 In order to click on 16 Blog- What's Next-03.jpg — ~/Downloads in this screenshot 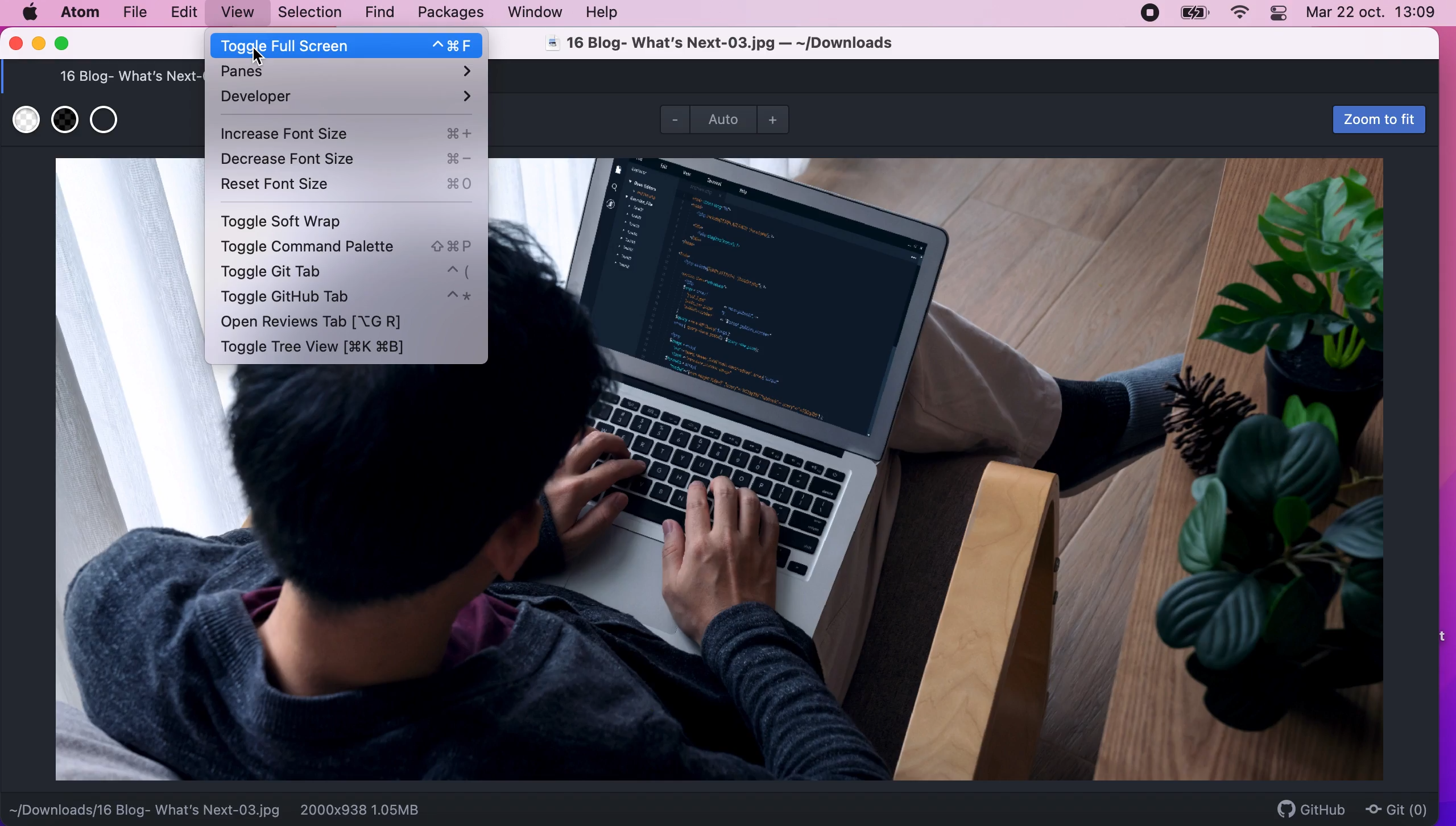, I will do `click(719, 43)`.